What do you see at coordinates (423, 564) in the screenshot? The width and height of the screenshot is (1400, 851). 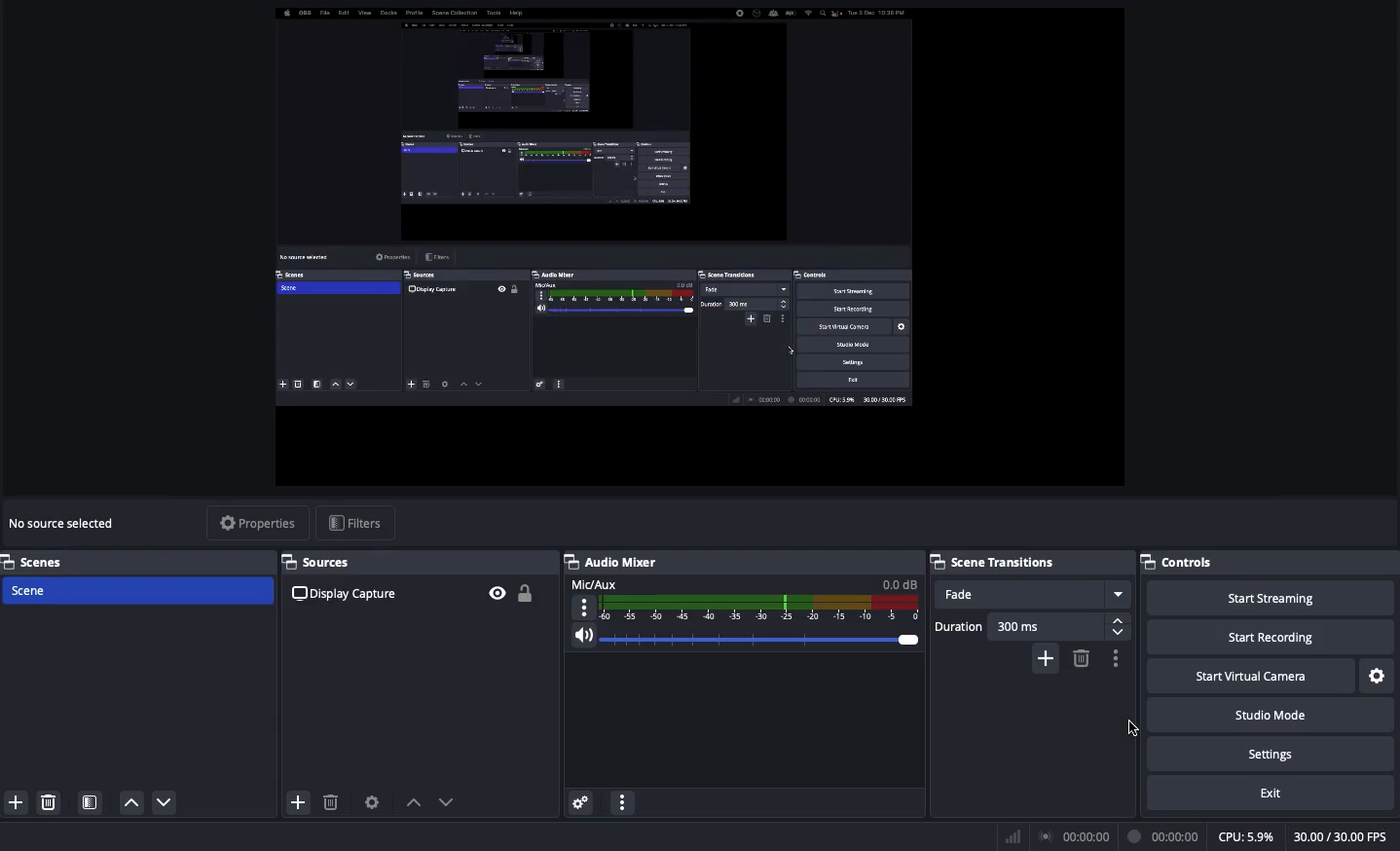 I see `Sources` at bounding box center [423, 564].